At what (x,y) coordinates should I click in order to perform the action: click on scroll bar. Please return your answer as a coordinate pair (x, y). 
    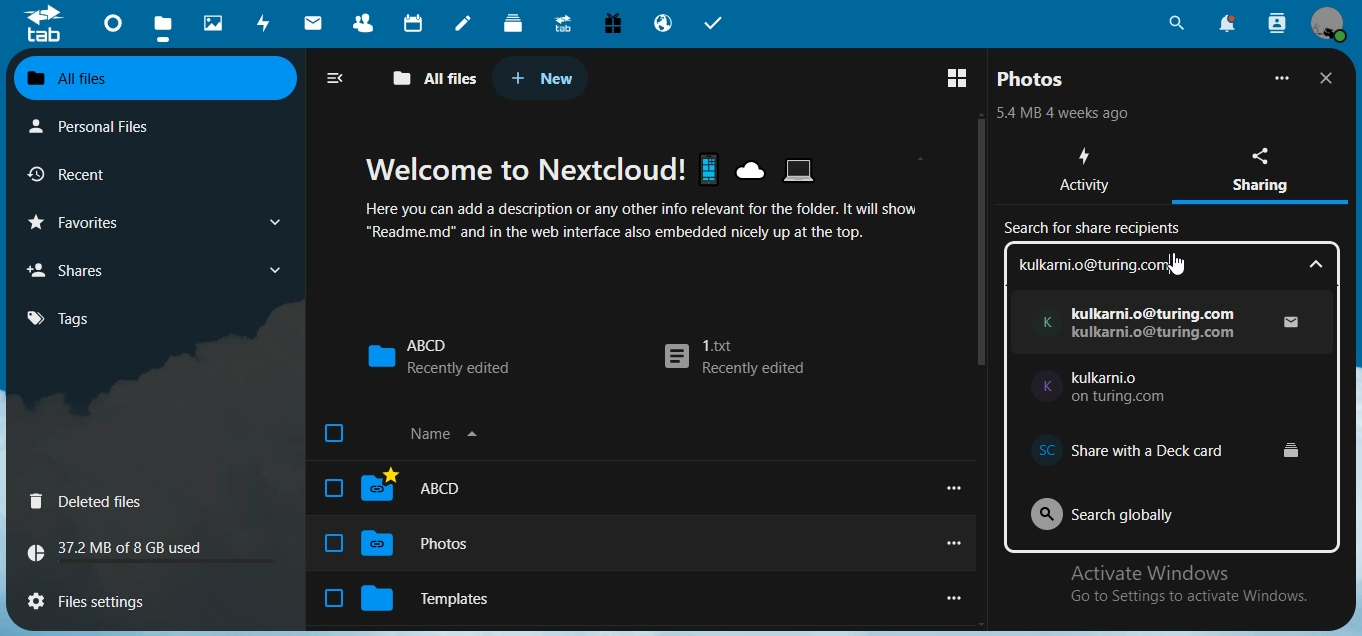
    Looking at the image, I should click on (979, 243).